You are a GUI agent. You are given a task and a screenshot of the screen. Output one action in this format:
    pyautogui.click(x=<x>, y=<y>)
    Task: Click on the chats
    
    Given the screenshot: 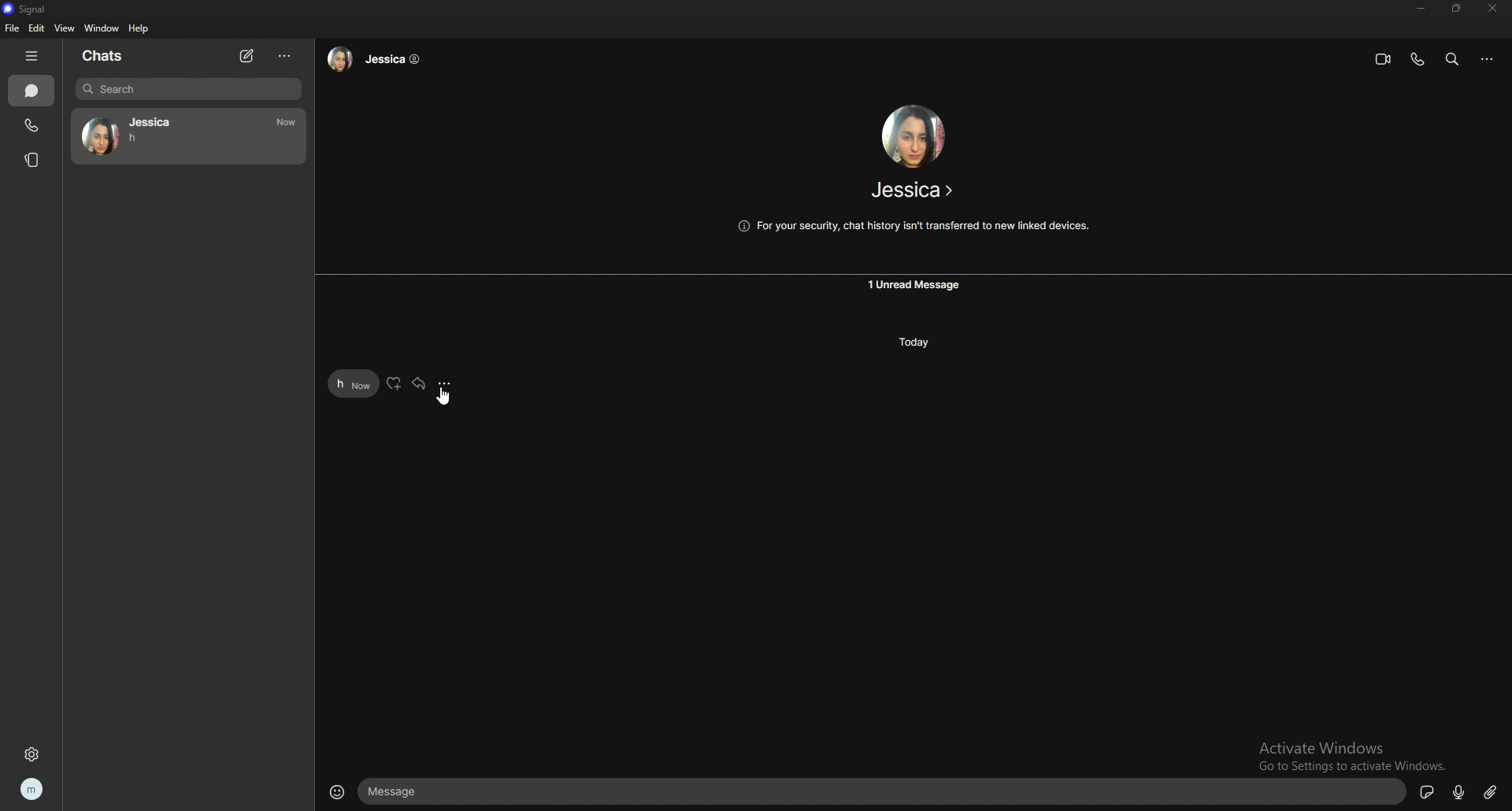 What is the action you would take?
    pyautogui.click(x=106, y=57)
    